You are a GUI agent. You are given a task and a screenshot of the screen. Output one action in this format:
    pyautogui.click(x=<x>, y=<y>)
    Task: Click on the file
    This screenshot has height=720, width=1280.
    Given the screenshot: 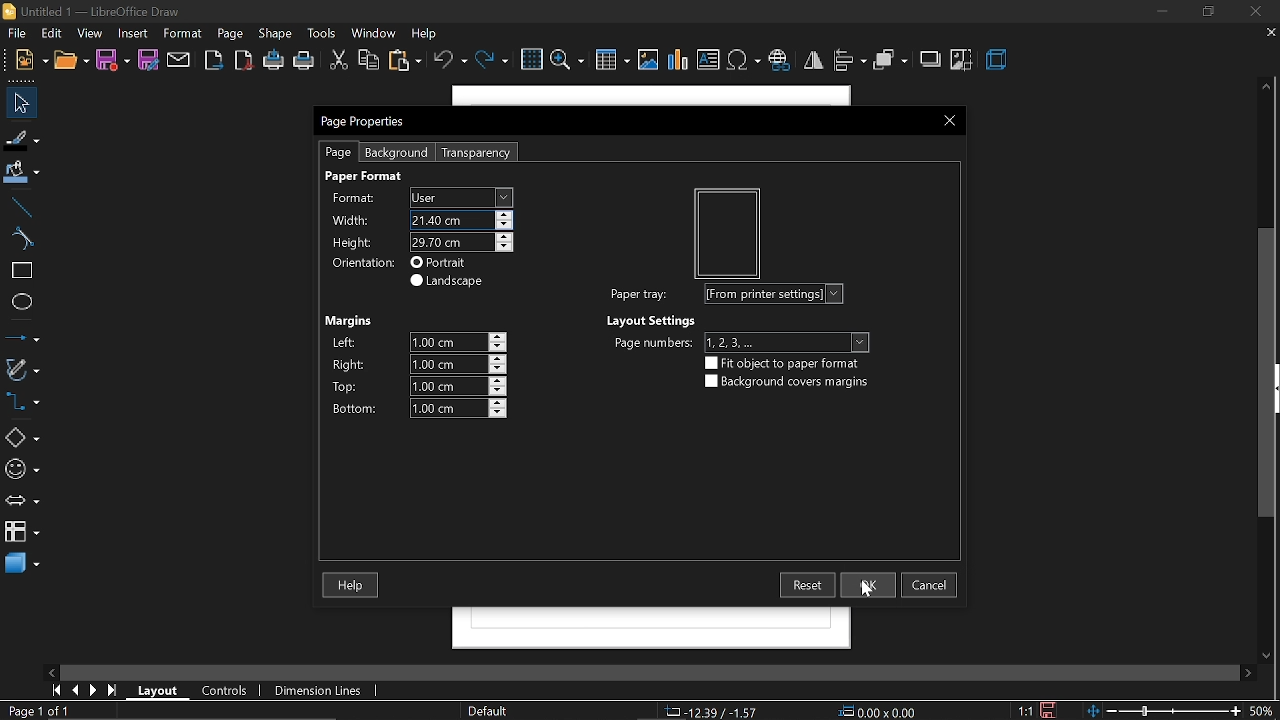 What is the action you would take?
    pyautogui.click(x=18, y=35)
    